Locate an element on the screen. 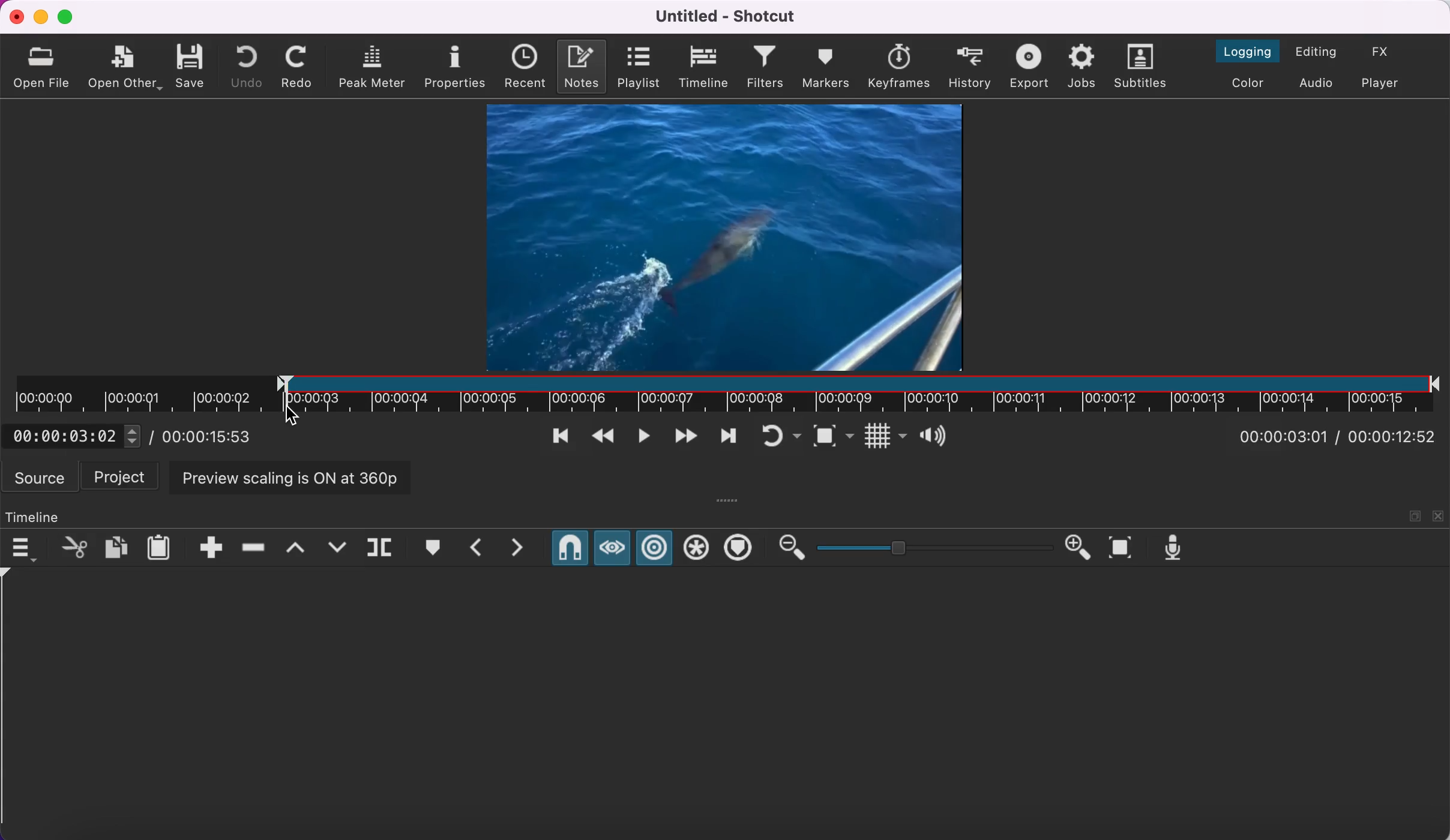  previous marker is located at coordinates (476, 547).